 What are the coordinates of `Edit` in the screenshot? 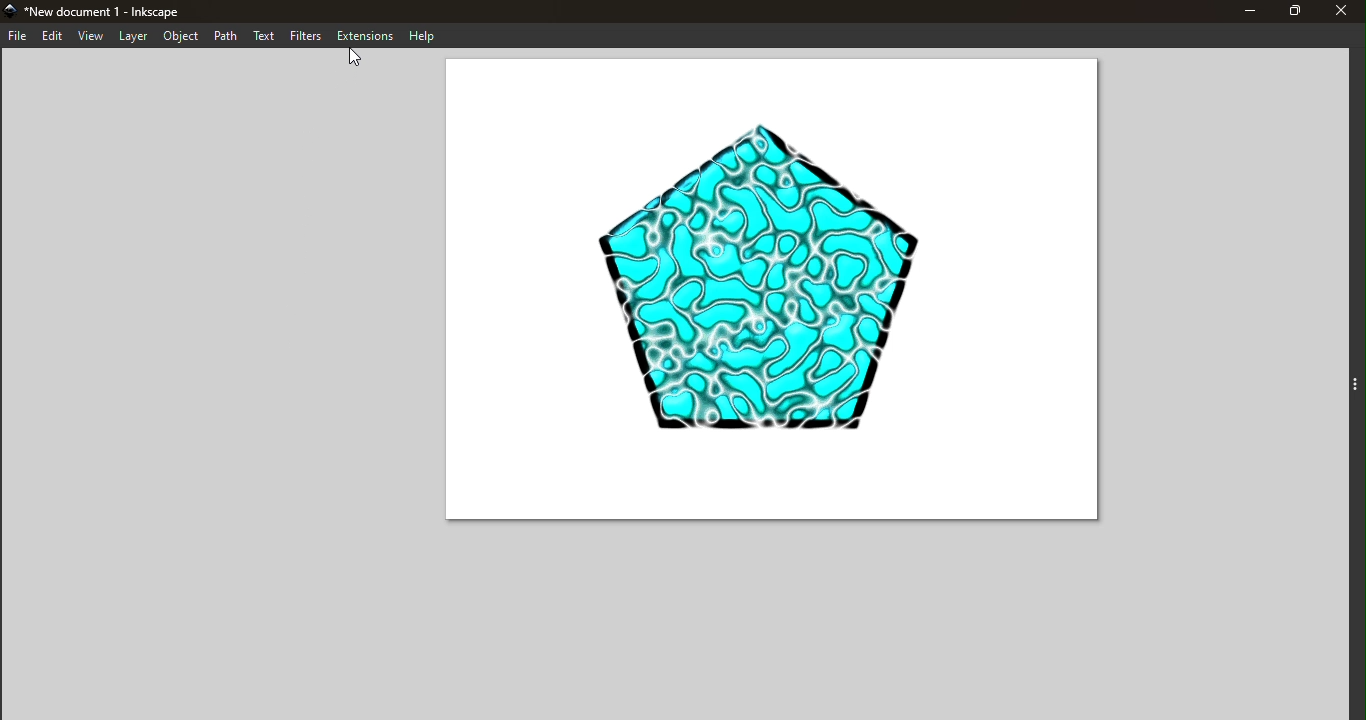 It's located at (52, 37).